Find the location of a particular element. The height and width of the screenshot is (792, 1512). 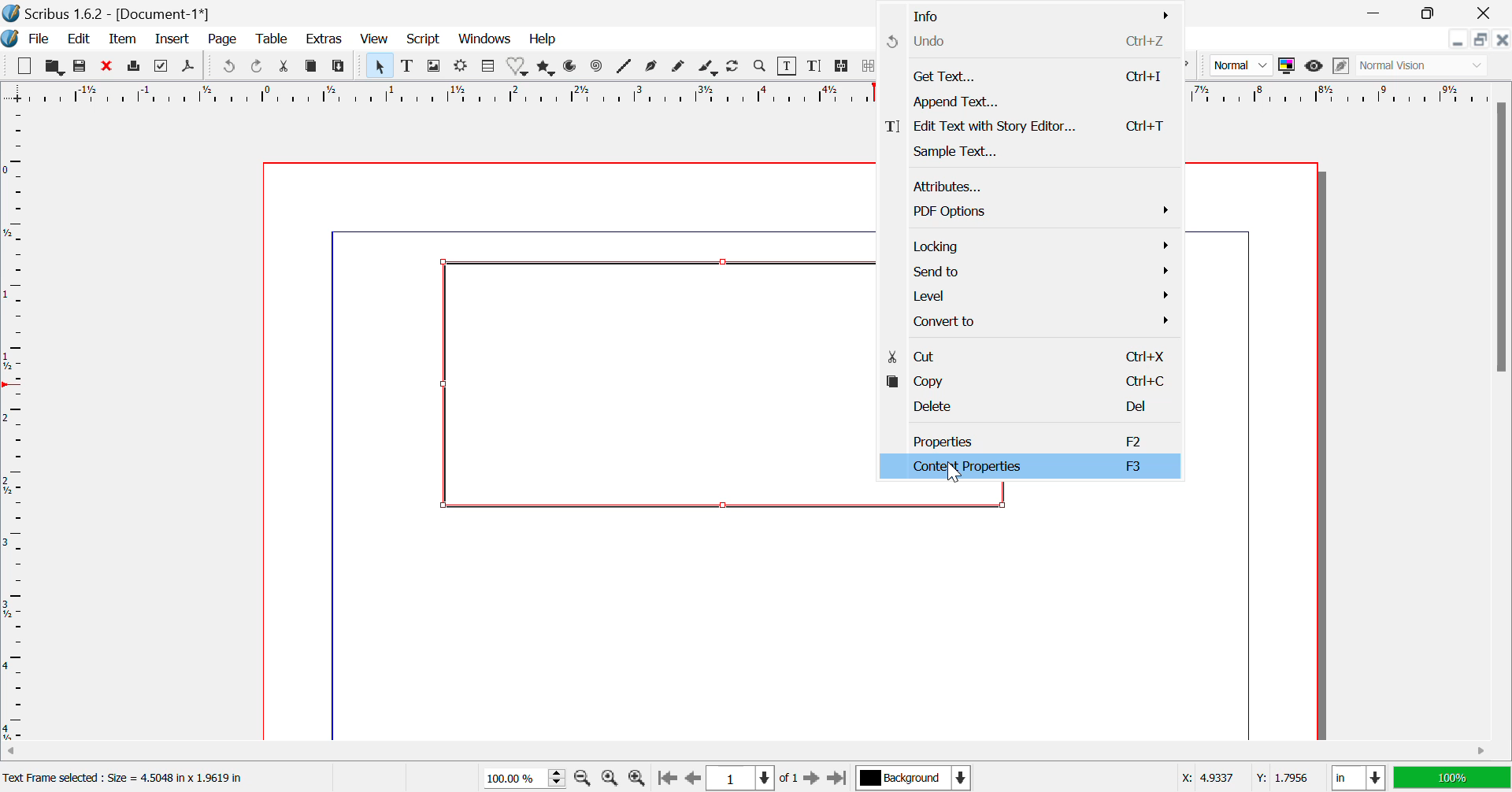

Minimize is located at coordinates (1482, 40).